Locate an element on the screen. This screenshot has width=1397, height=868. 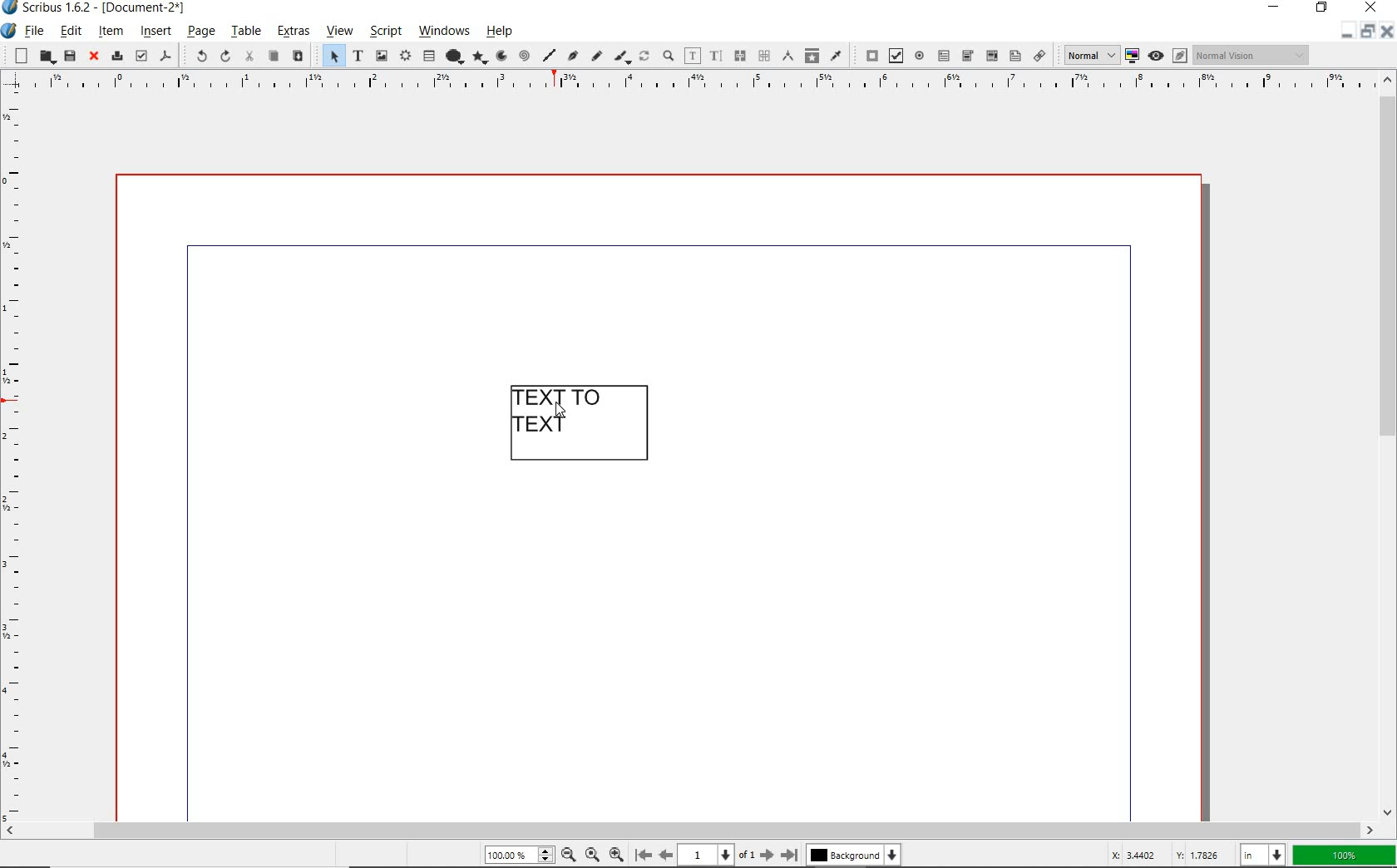
pdf combo box is located at coordinates (967, 55).